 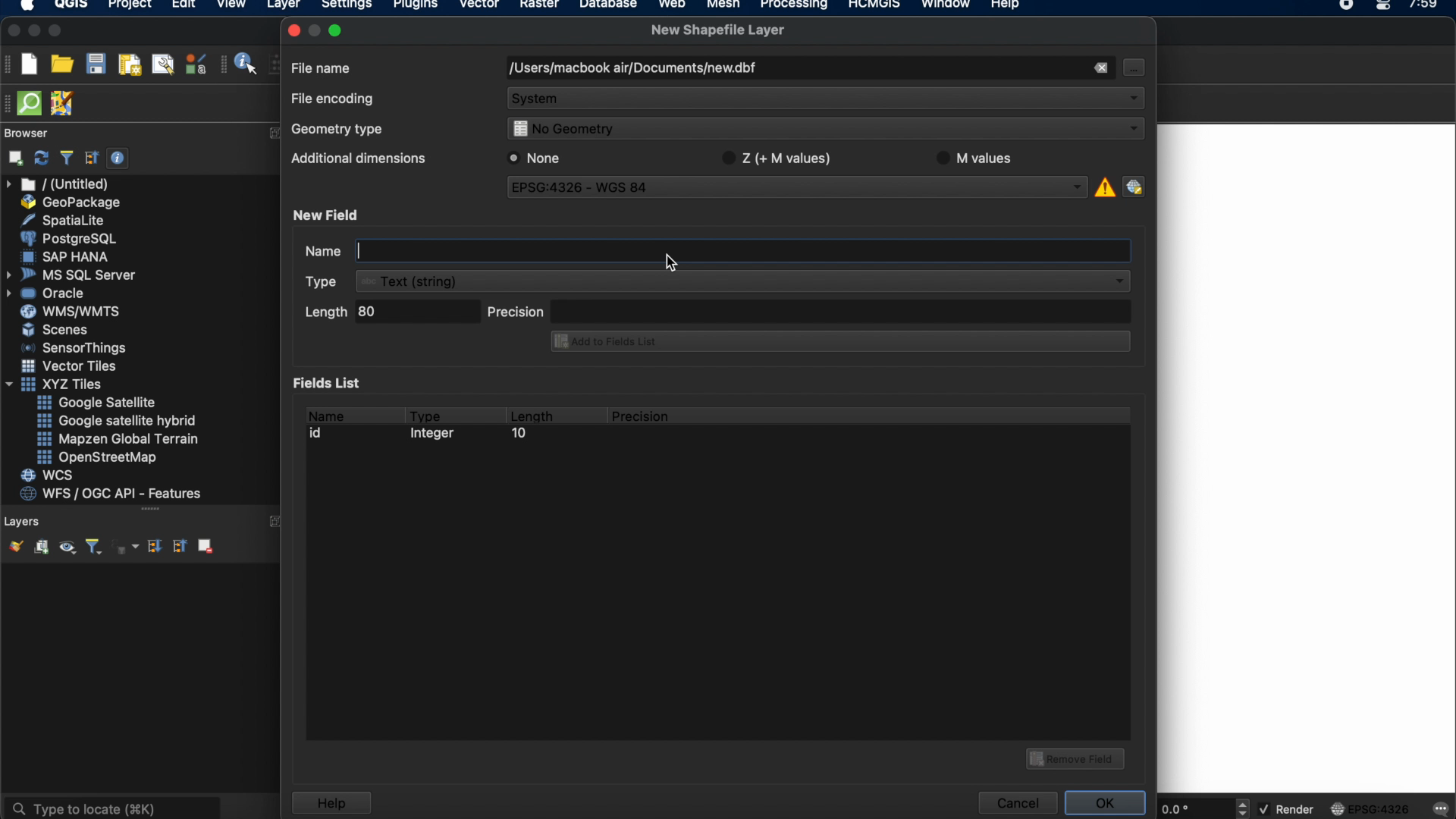 I want to click on enable/disable properties widget, so click(x=118, y=158).